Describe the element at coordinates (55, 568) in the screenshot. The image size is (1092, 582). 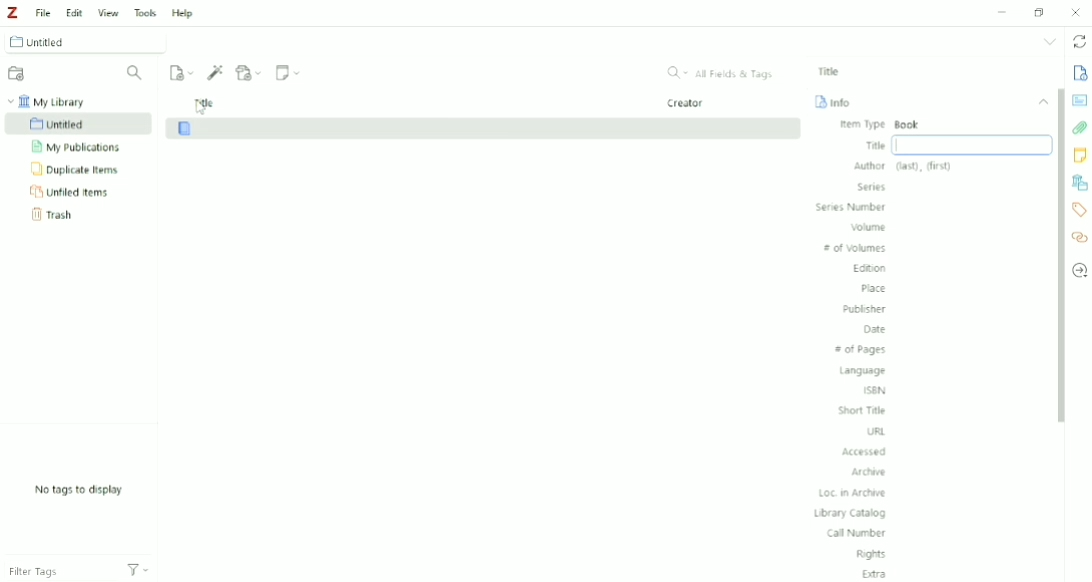
I see `Filter Tags` at that location.